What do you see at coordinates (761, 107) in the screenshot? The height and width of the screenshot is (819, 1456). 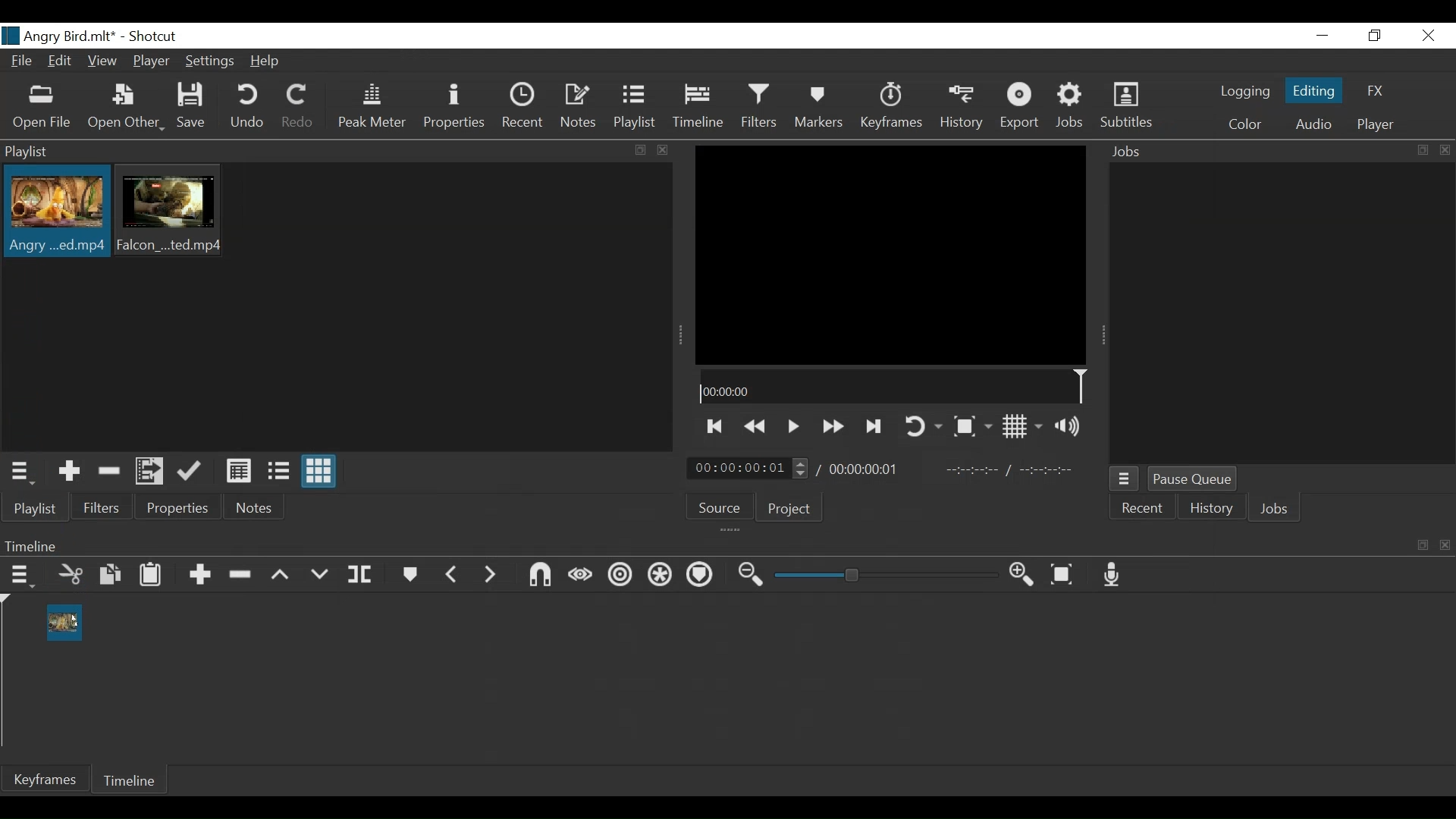 I see `Filters` at bounding box center [761, 107].